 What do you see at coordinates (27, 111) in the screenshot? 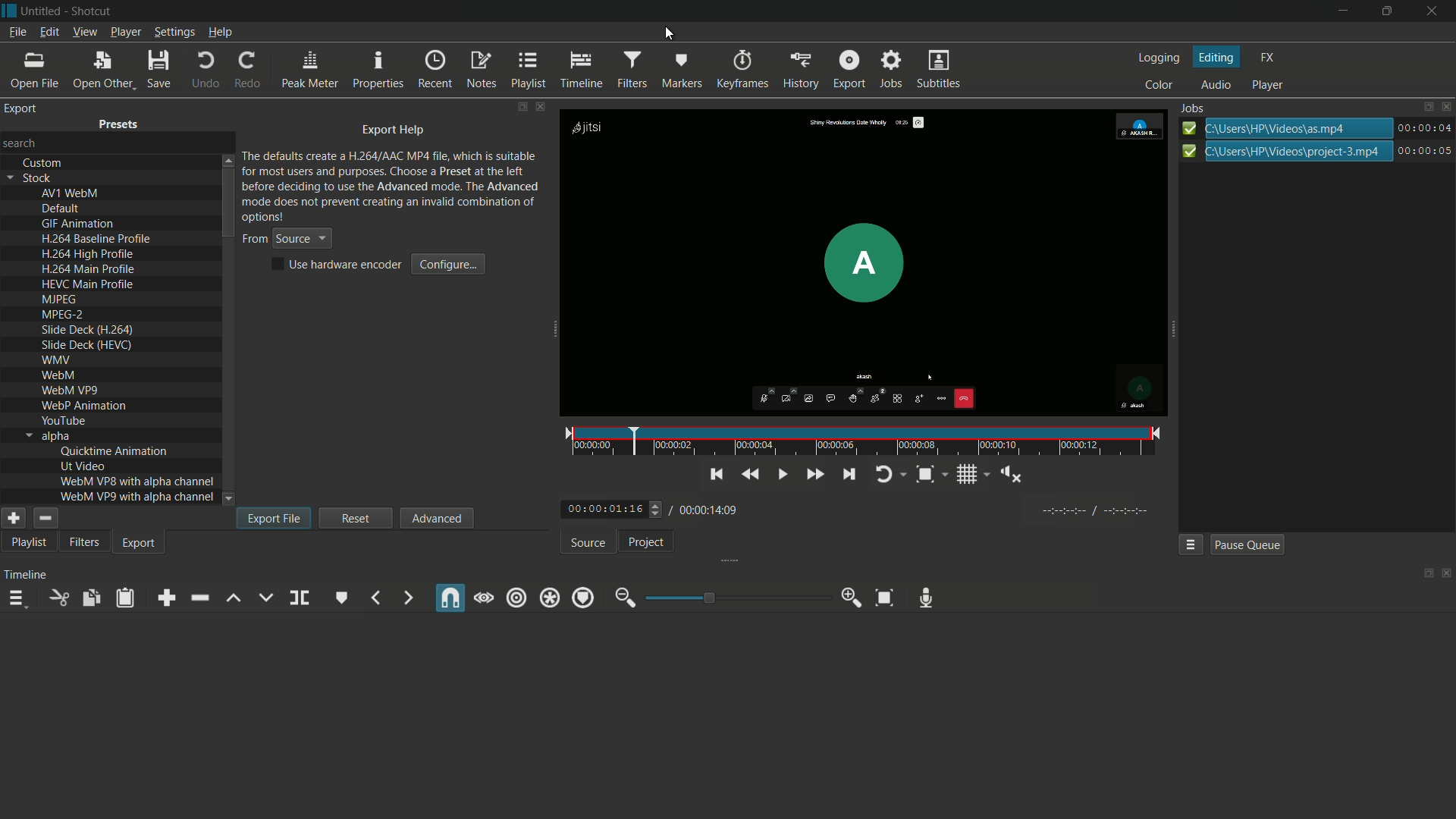
I see `Export` at bounding box center [27, 111].